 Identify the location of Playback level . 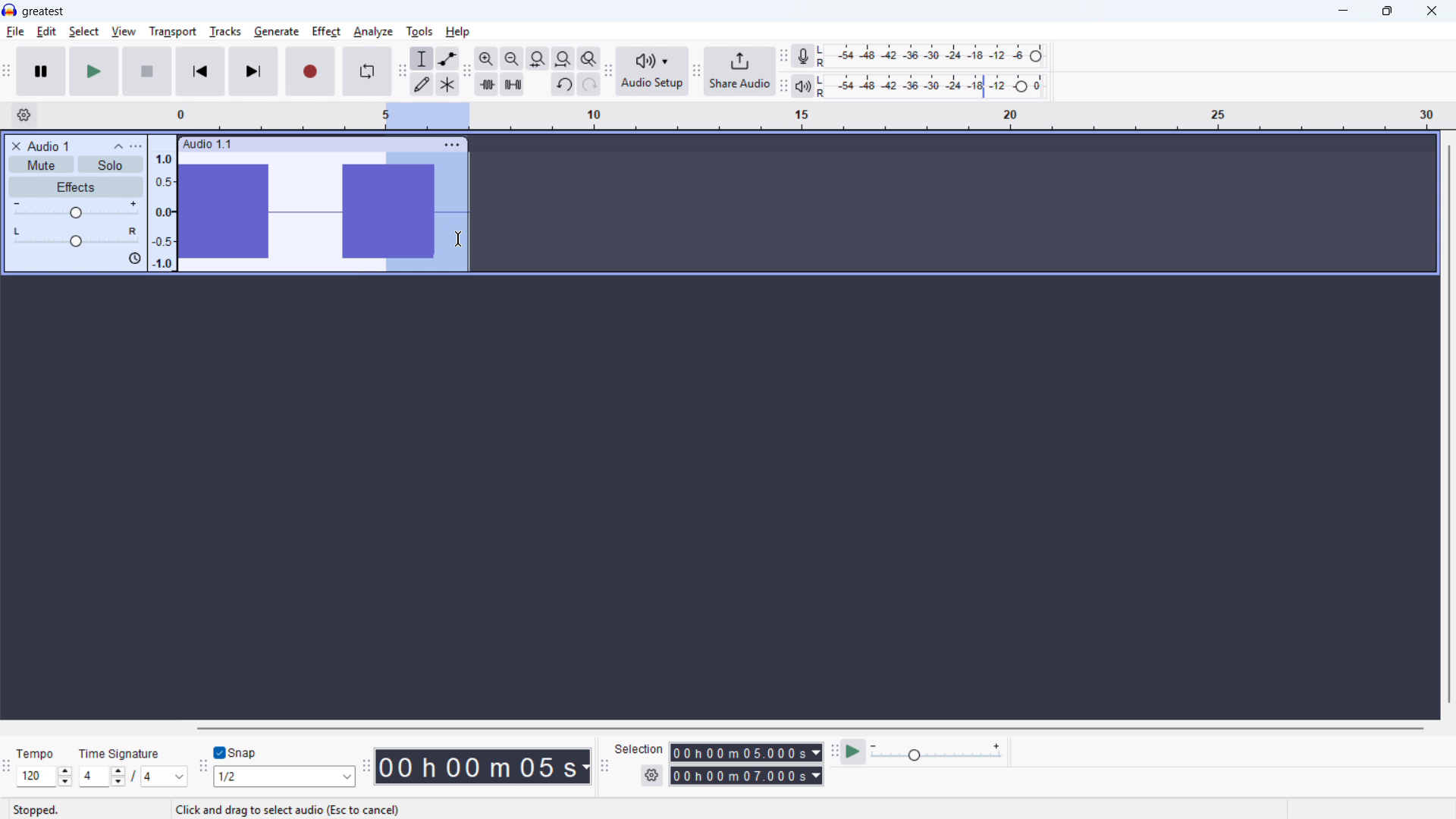
(935, 86).